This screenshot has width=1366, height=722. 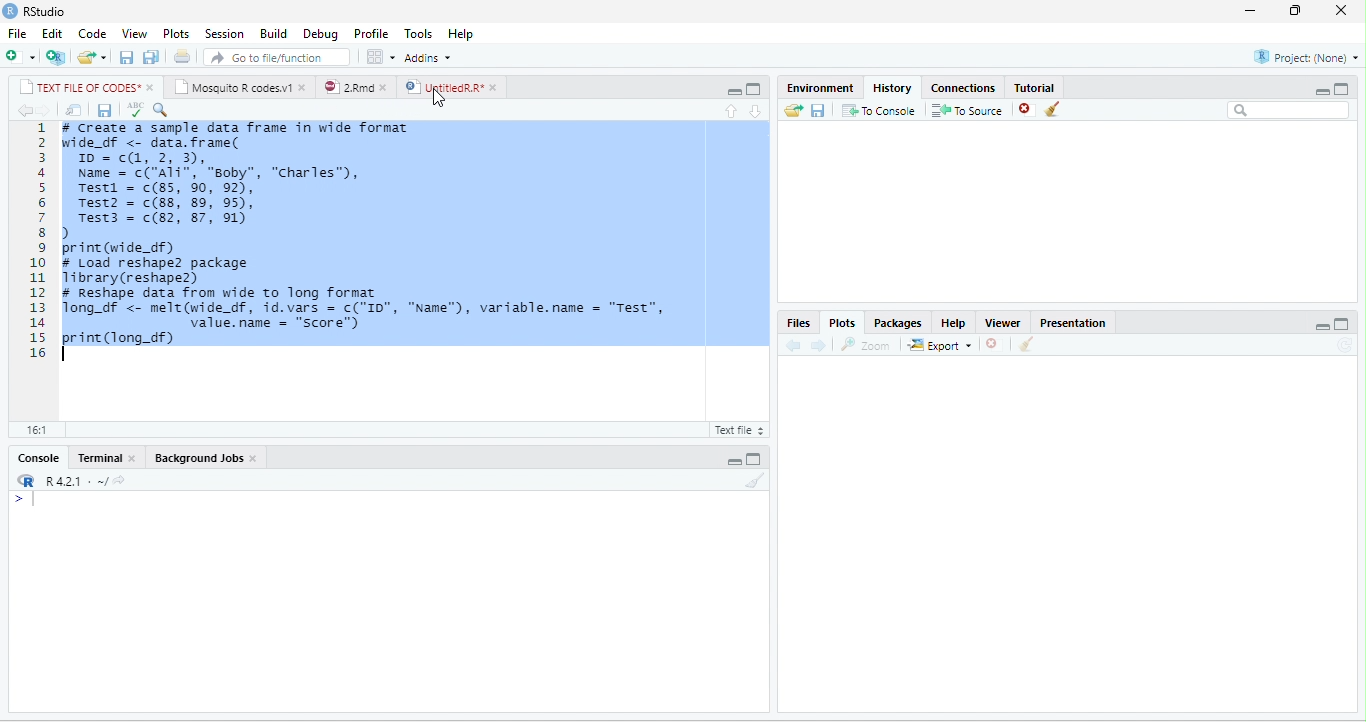 I want to click on search, so click(x=160, y=110).